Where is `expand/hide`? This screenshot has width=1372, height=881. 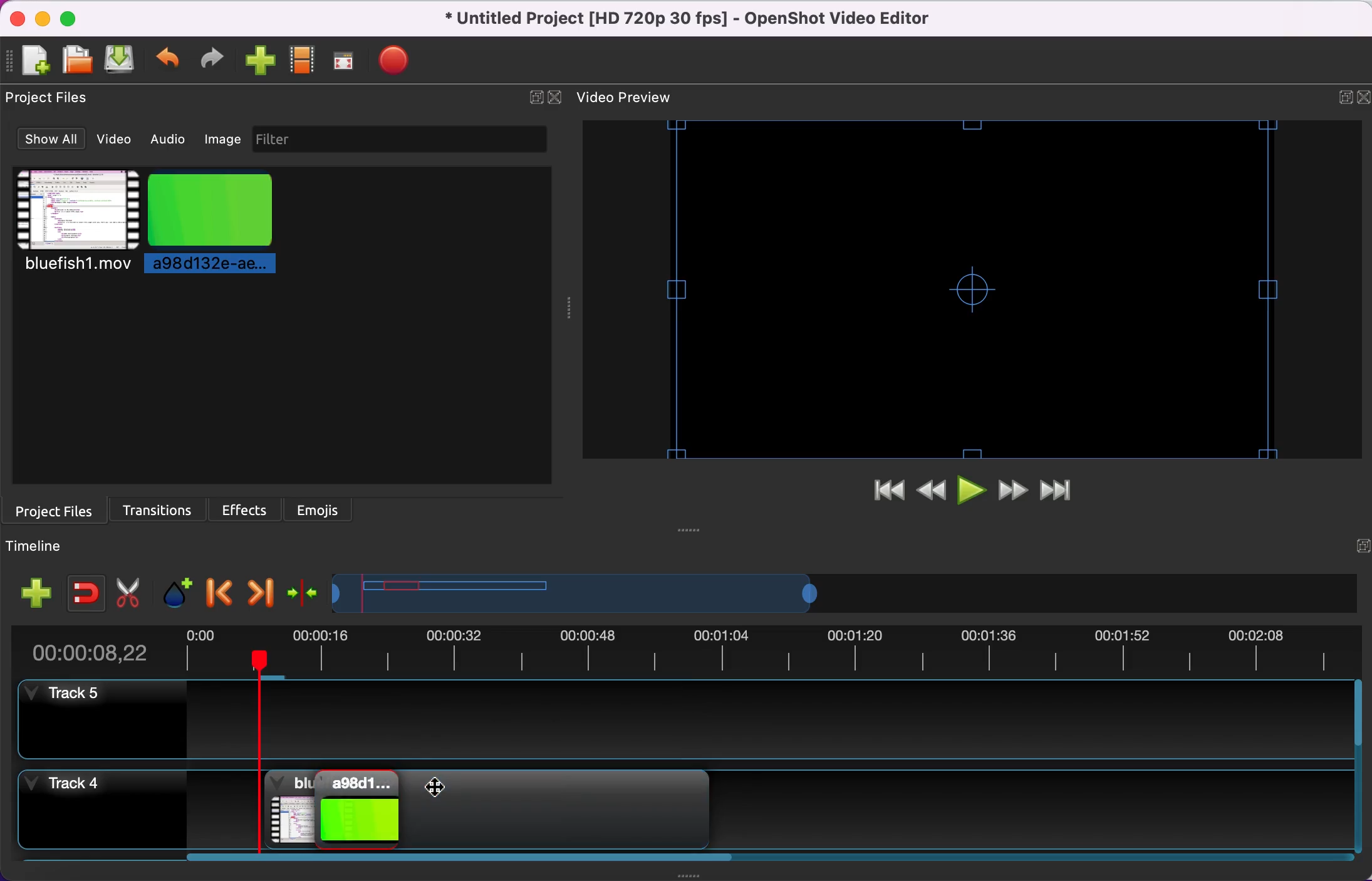
expand/hide is located at coordinates (1356, 536).